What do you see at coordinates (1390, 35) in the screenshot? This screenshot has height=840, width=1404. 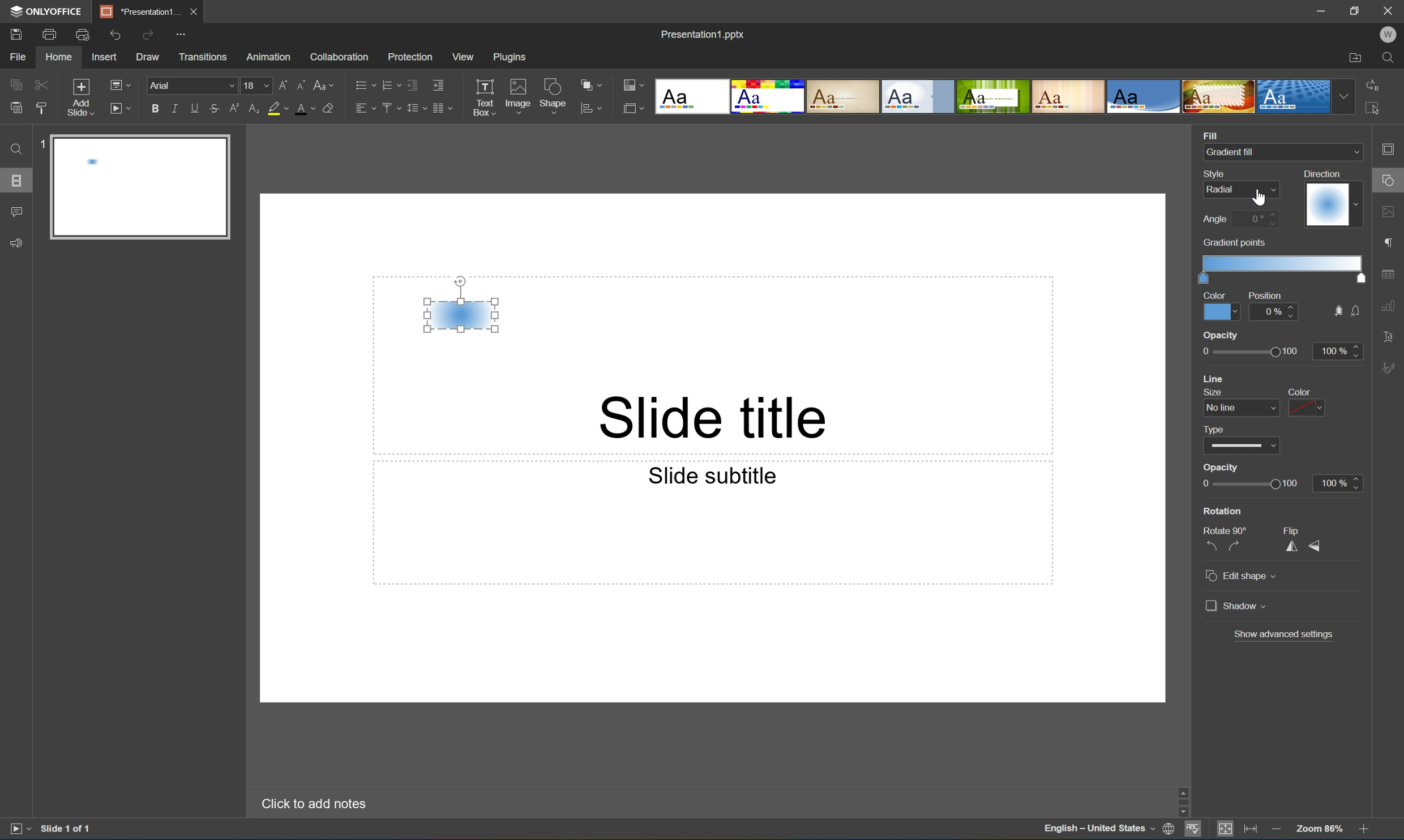 I see `W` at bounding box center [1390, 35].